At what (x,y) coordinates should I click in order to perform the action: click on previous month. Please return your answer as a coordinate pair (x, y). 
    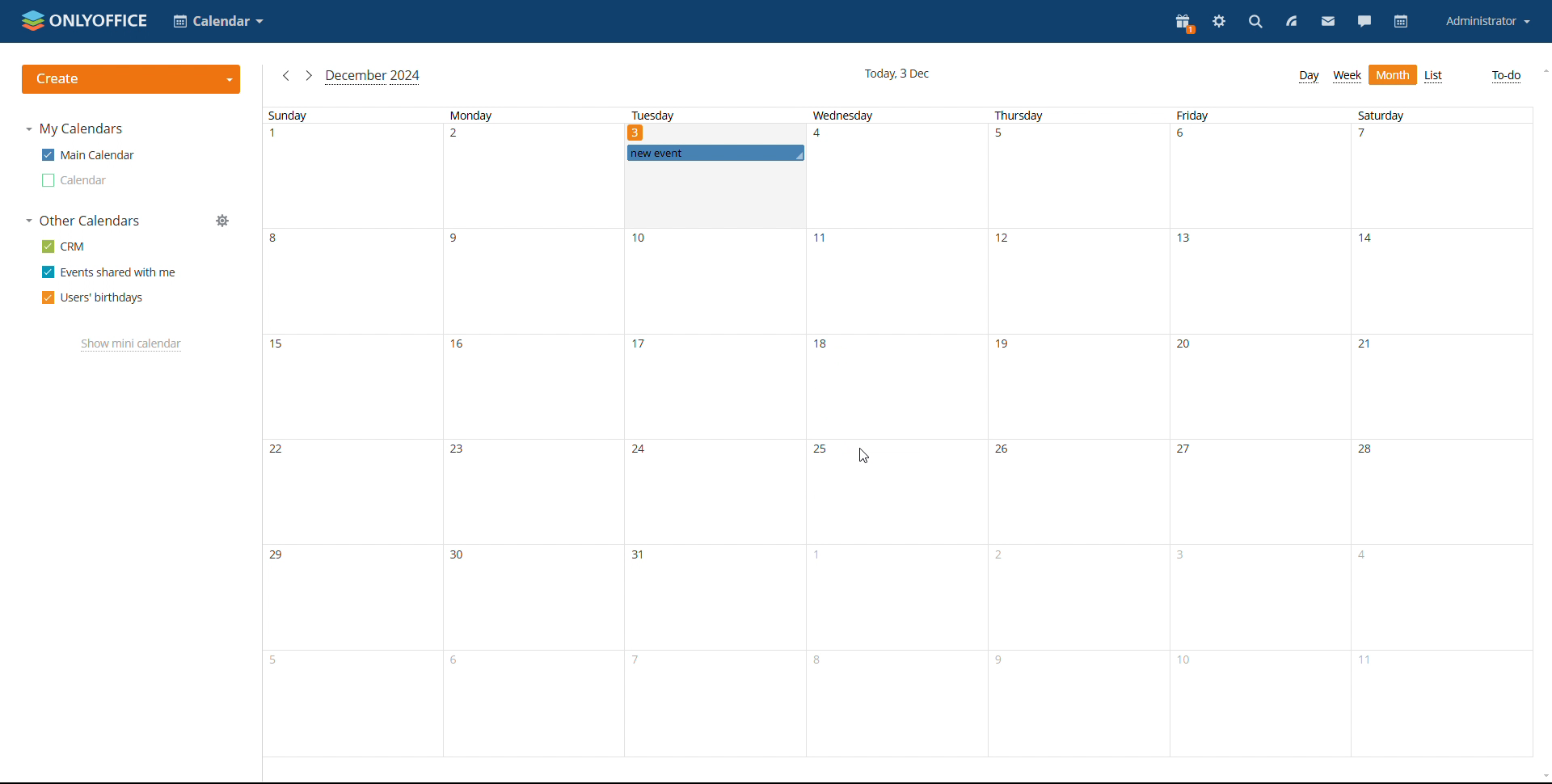
    Looking at the image, I should click on (286, 77).